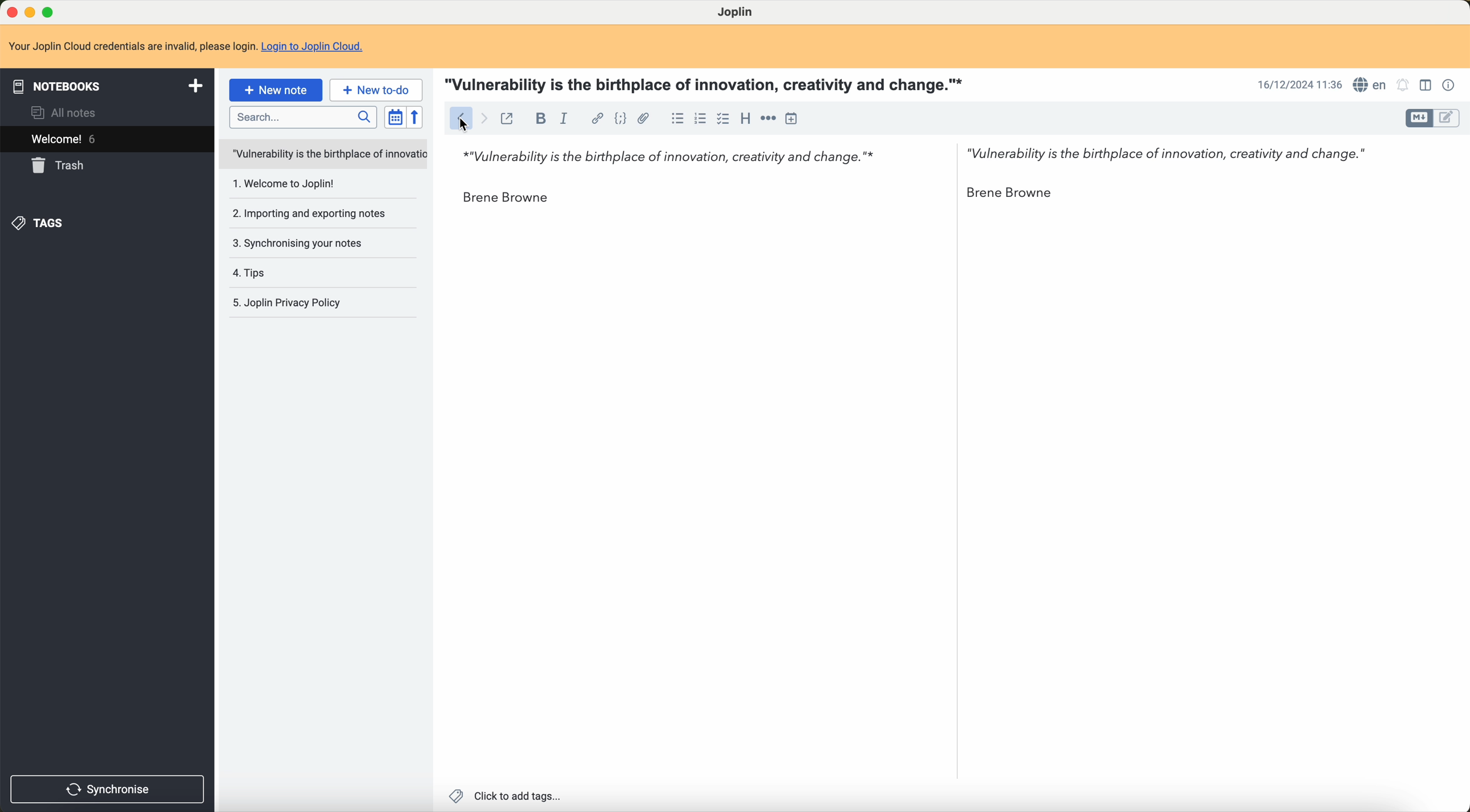 The height and width of the screenshot is (812, 1470). I want to click on "Vulnerability is the birthplace of innovation, creativity and change.", so click(1166, 151).